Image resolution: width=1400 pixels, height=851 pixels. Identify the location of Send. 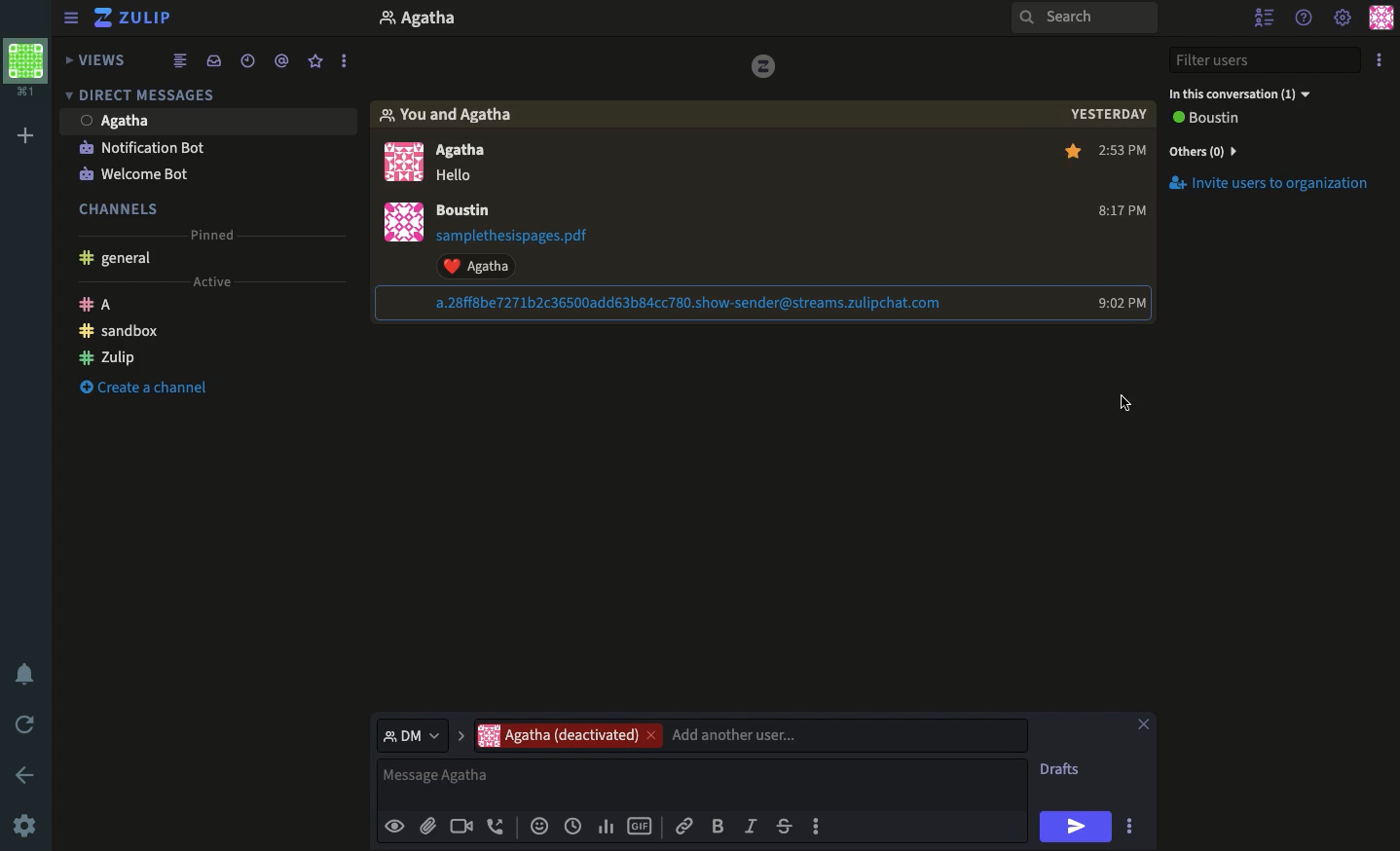
(1078, 827).